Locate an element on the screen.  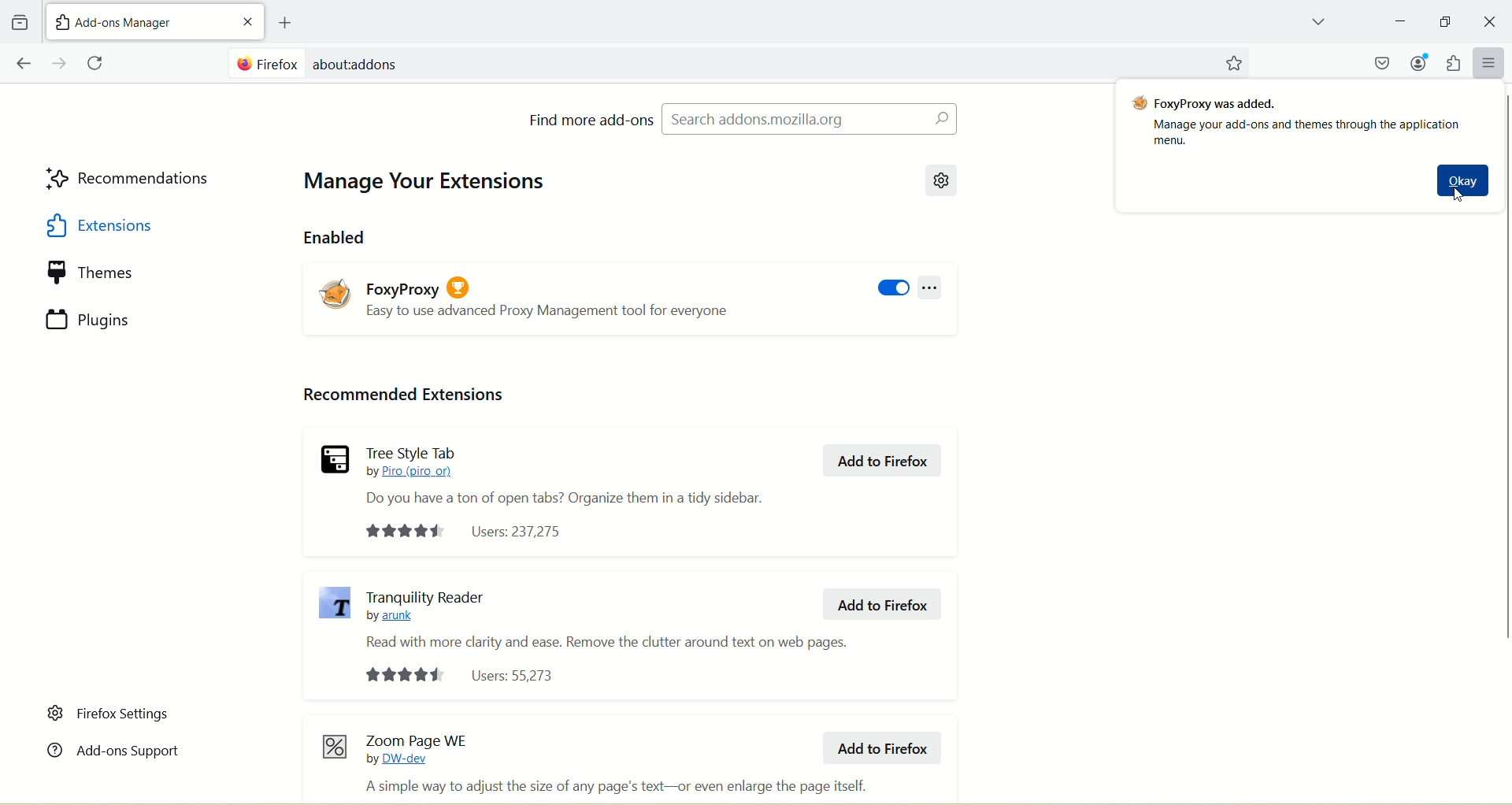
Move backward is located at coordinates (23, 63).